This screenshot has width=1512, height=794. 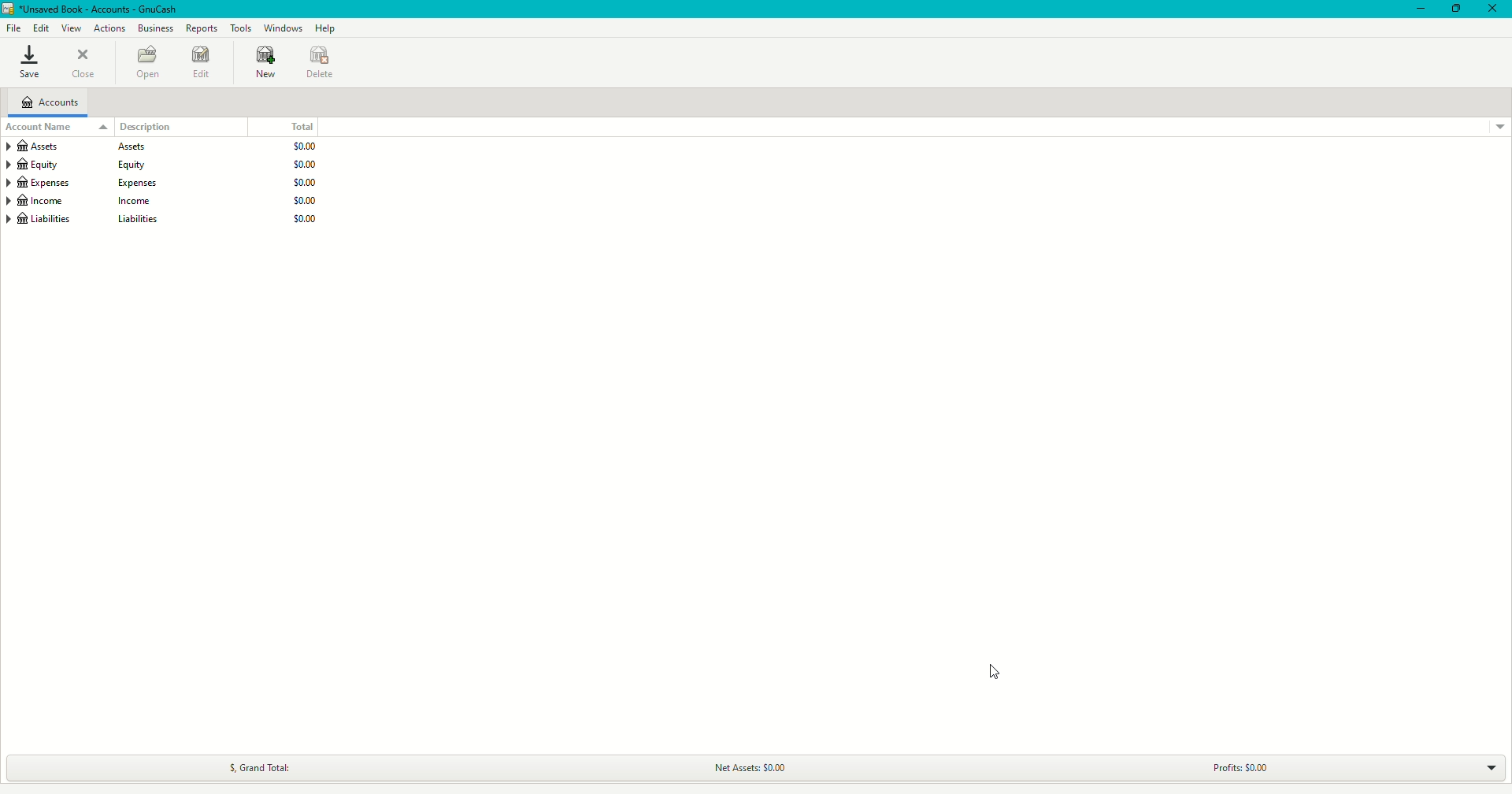 What do you see at coordinates (109, 28) in the screenshot?
I see `Actions` at bounding box center [109, 28].